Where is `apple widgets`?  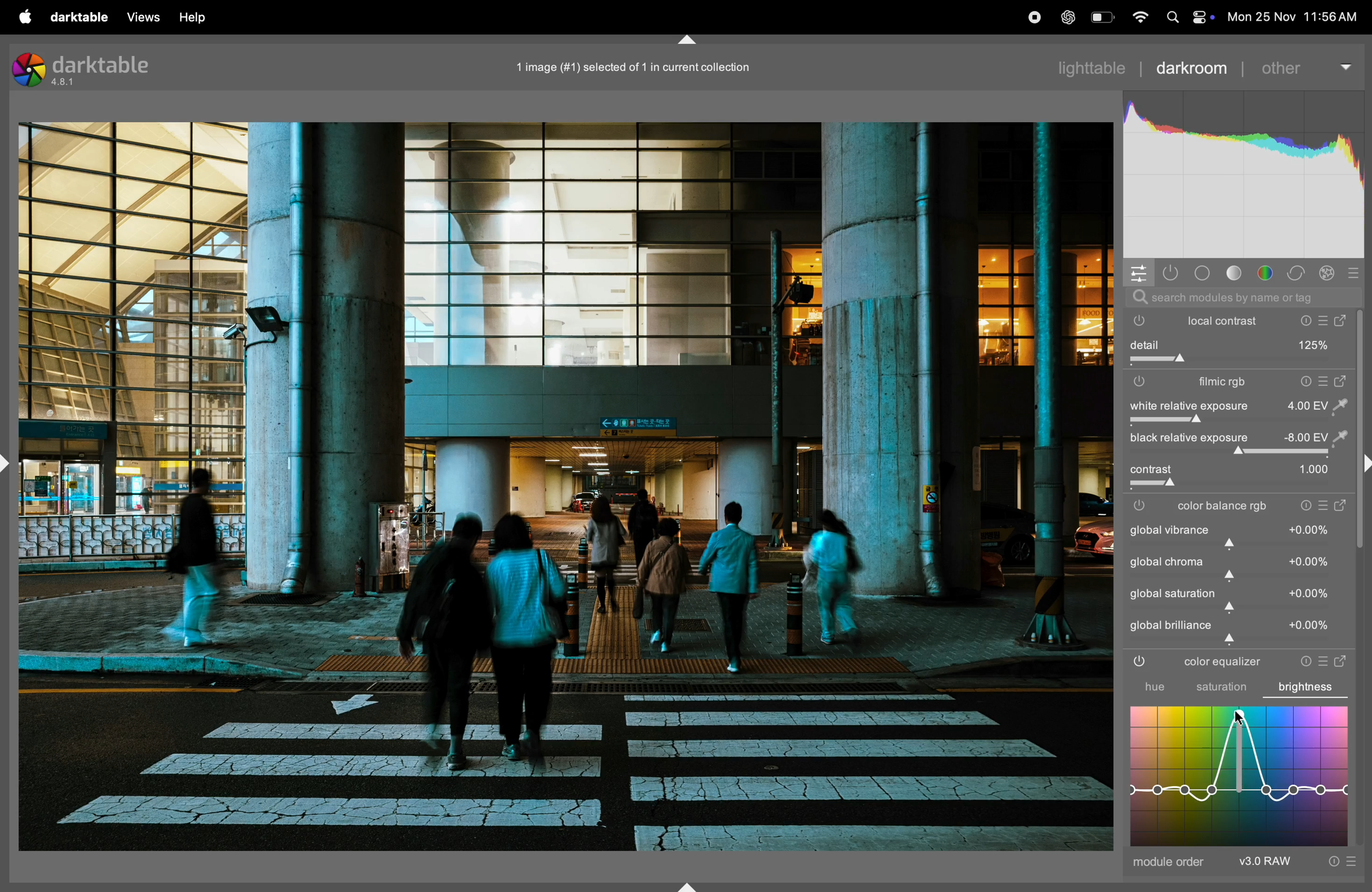 apple widgets is located at coordinates (1187, 17).